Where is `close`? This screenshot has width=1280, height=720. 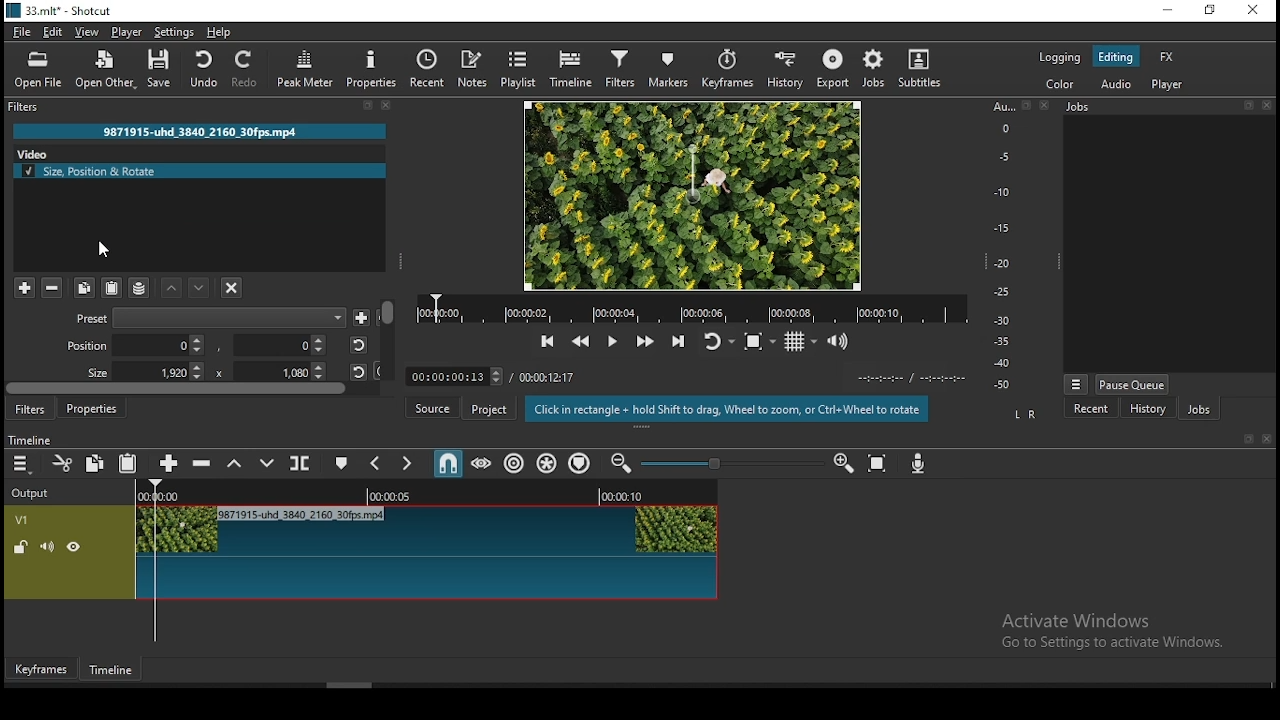 close is located at coordinates (1043, 105).